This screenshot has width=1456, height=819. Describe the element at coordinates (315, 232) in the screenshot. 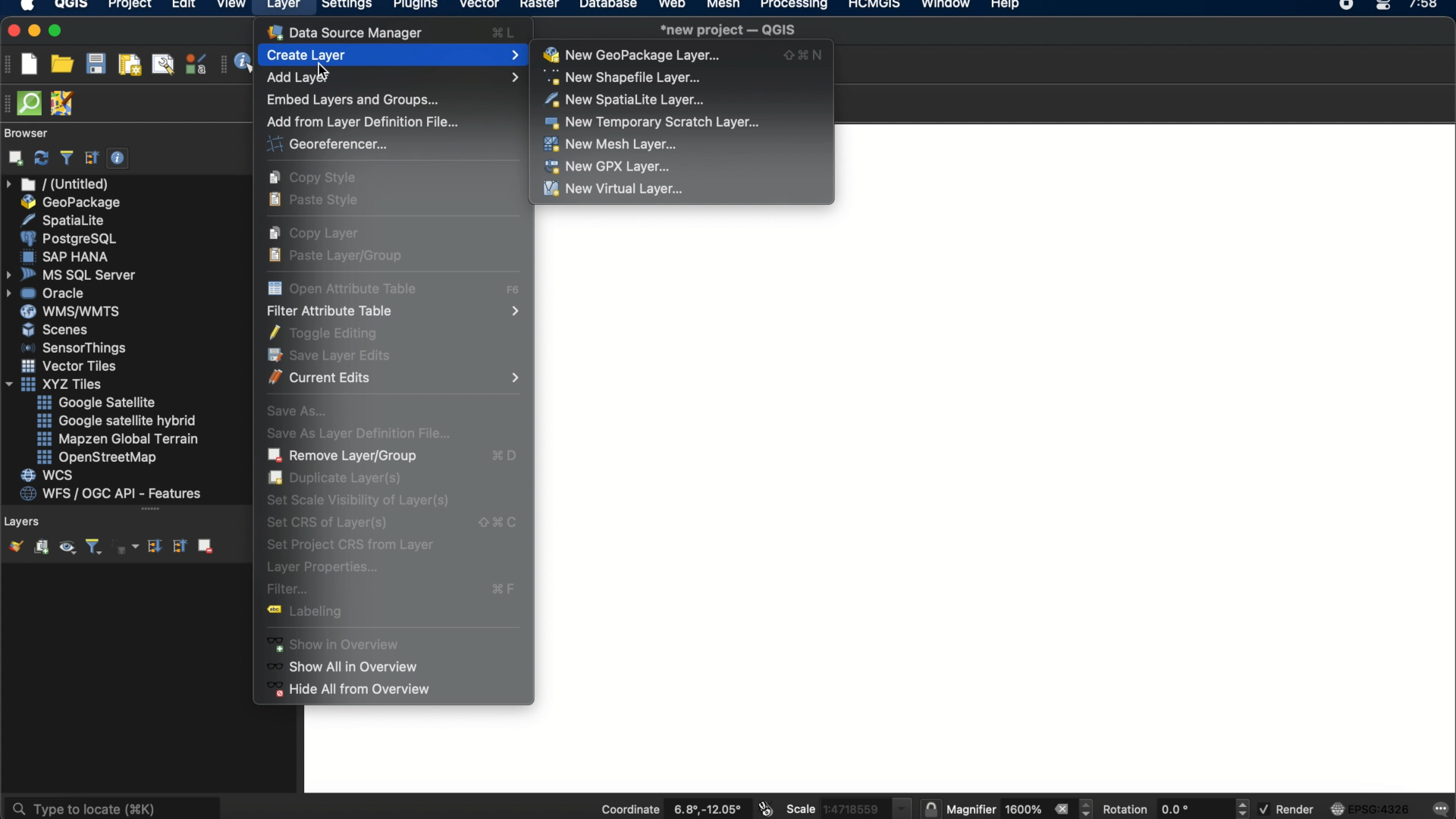

I see `copy layer` at that location.